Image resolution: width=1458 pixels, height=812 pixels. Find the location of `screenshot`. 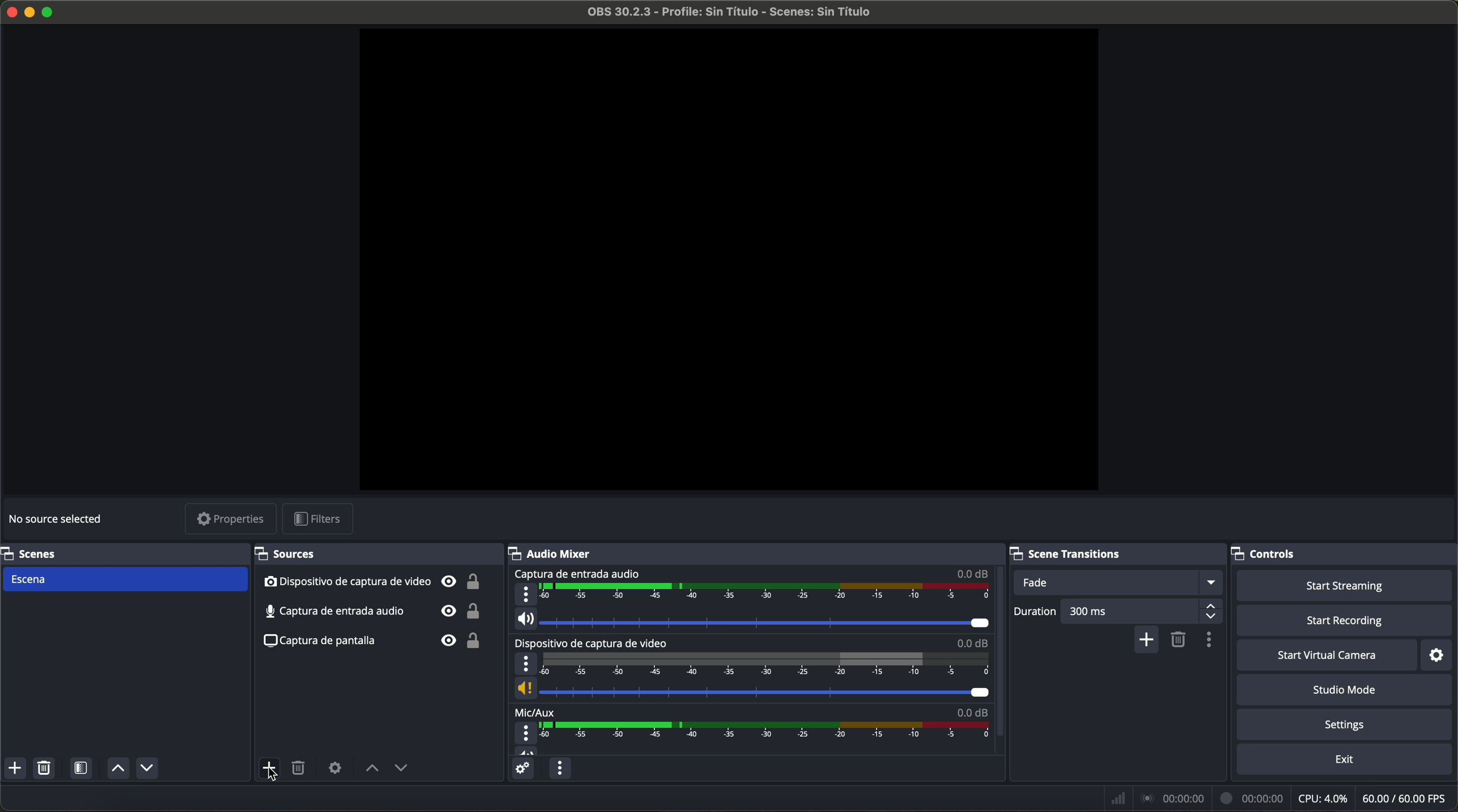

screenshot is located at coordinates (371, 642).